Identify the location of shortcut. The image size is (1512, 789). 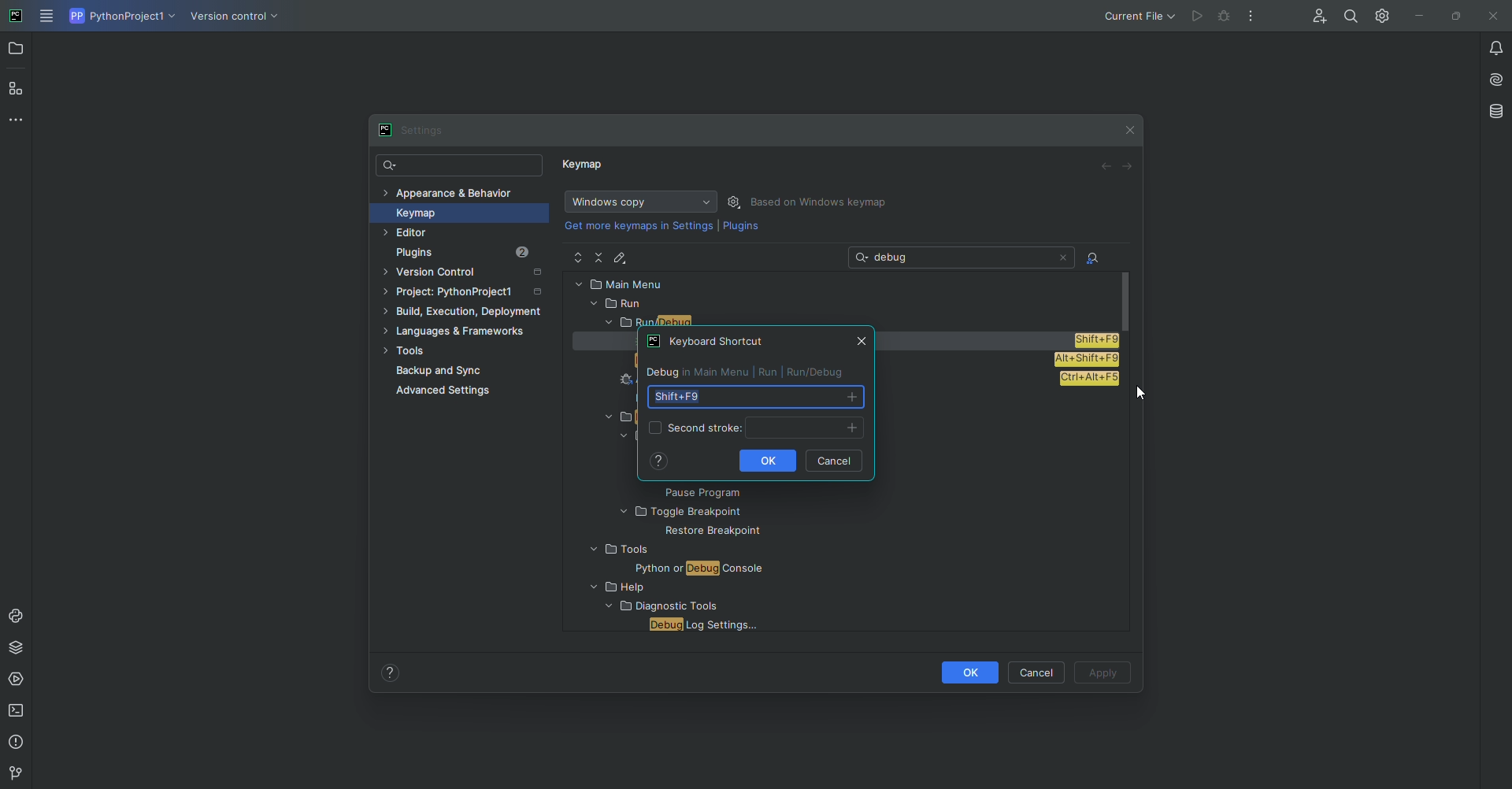
(1090, 378).